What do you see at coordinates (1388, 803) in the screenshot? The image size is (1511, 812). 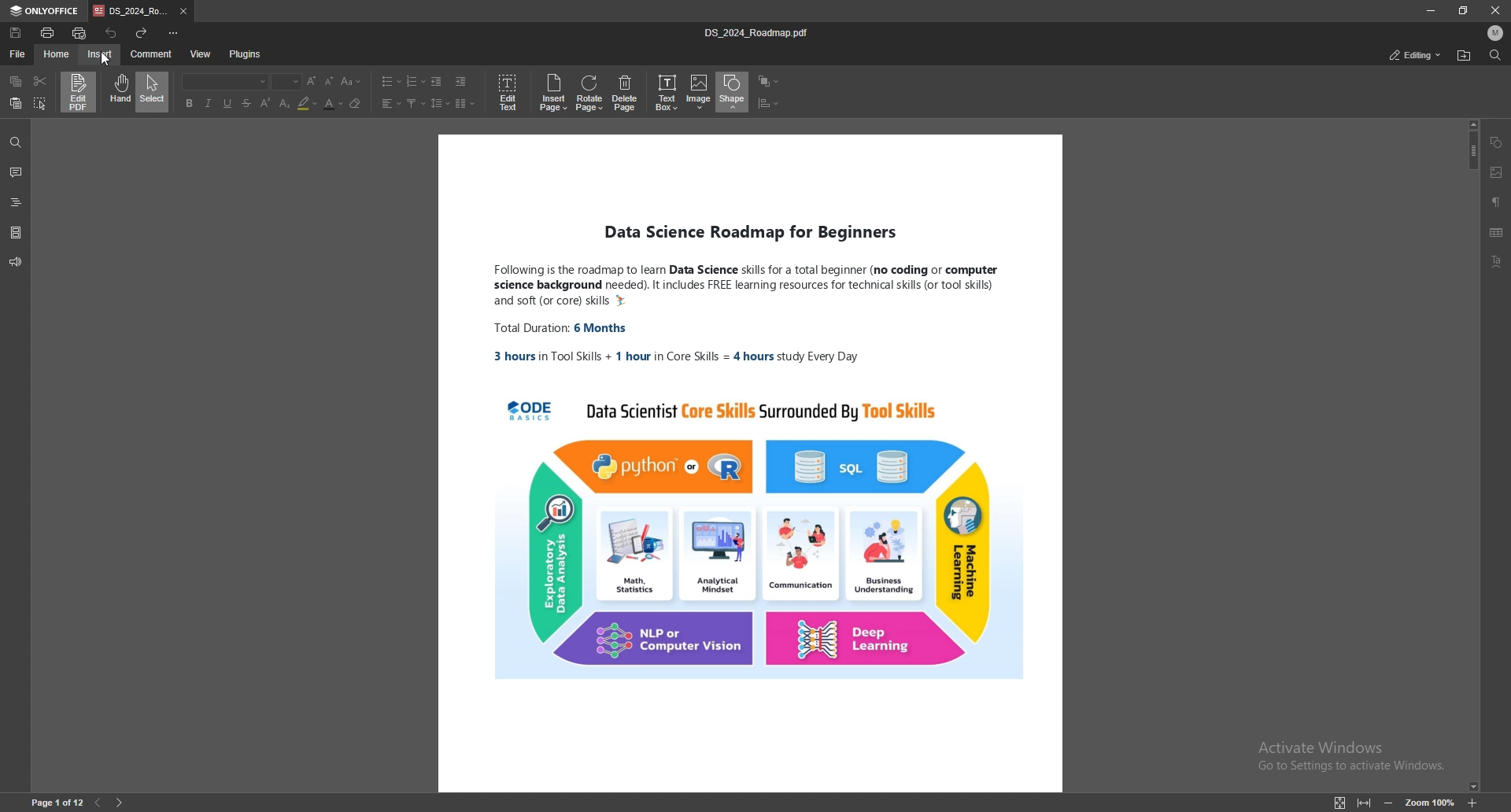 I see `zoom out` at bounding box center [1388, 803].